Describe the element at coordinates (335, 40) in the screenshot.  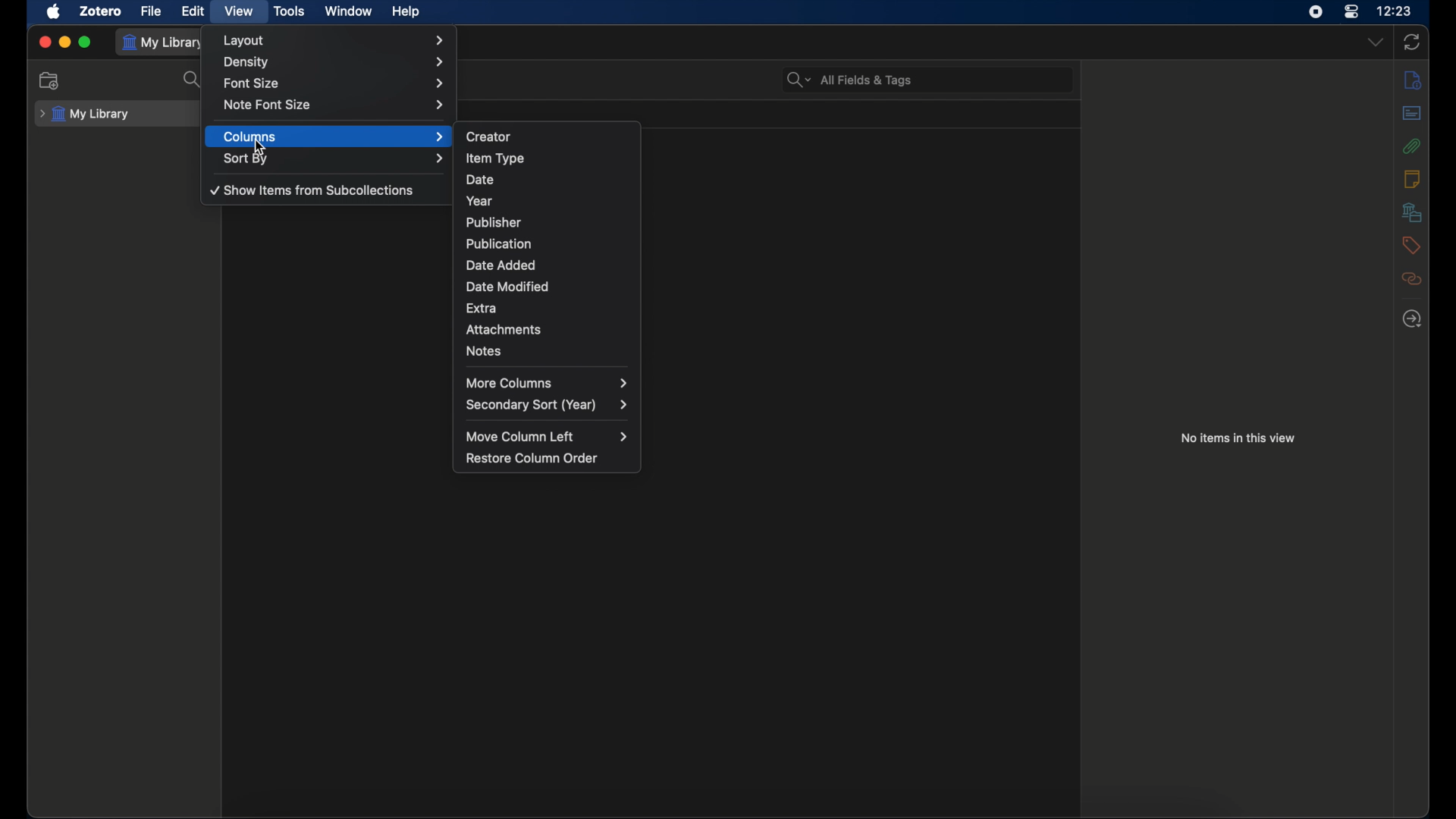
I see `layout` at that location.